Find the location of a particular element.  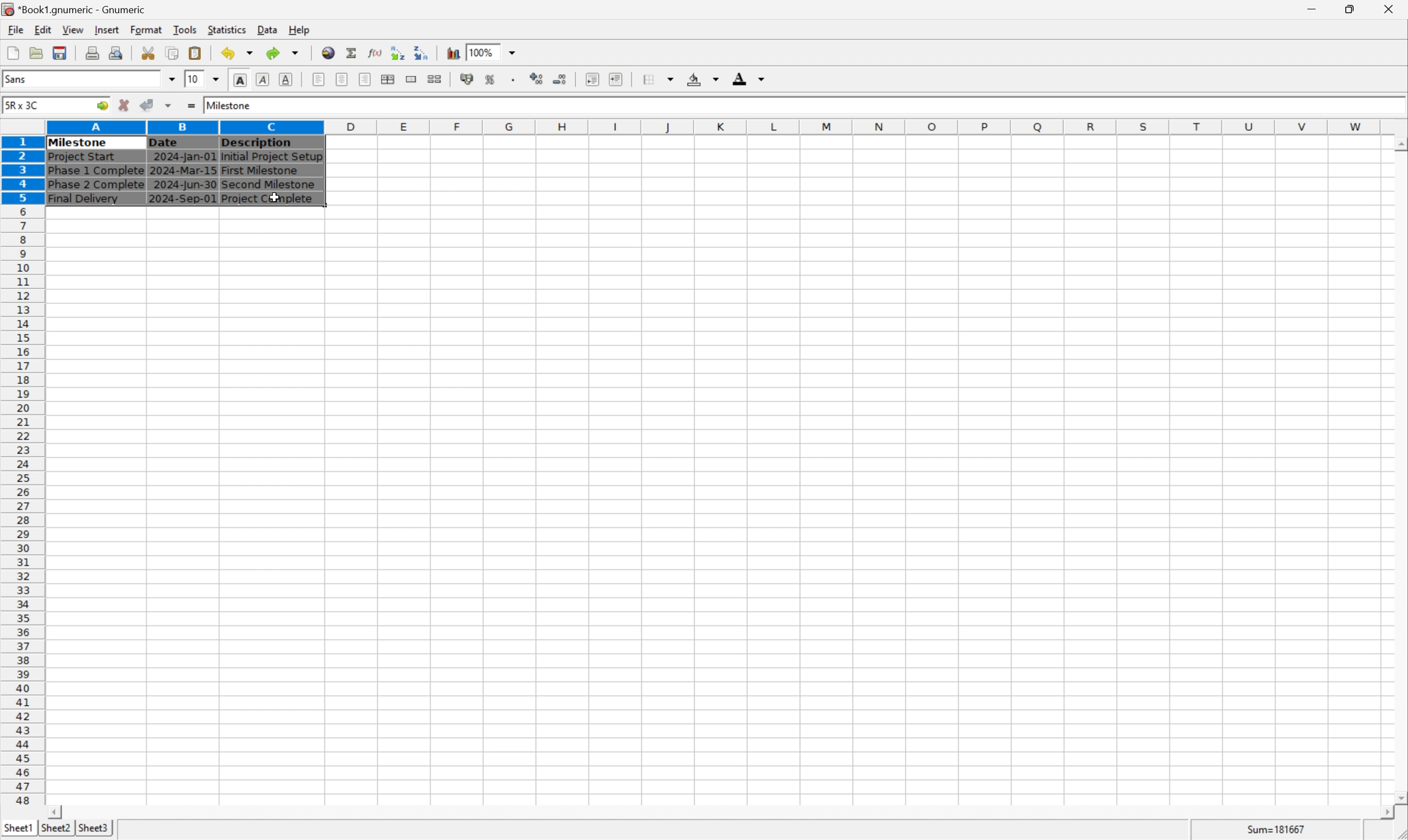

center horizontally is located at coordinates (341, 80).